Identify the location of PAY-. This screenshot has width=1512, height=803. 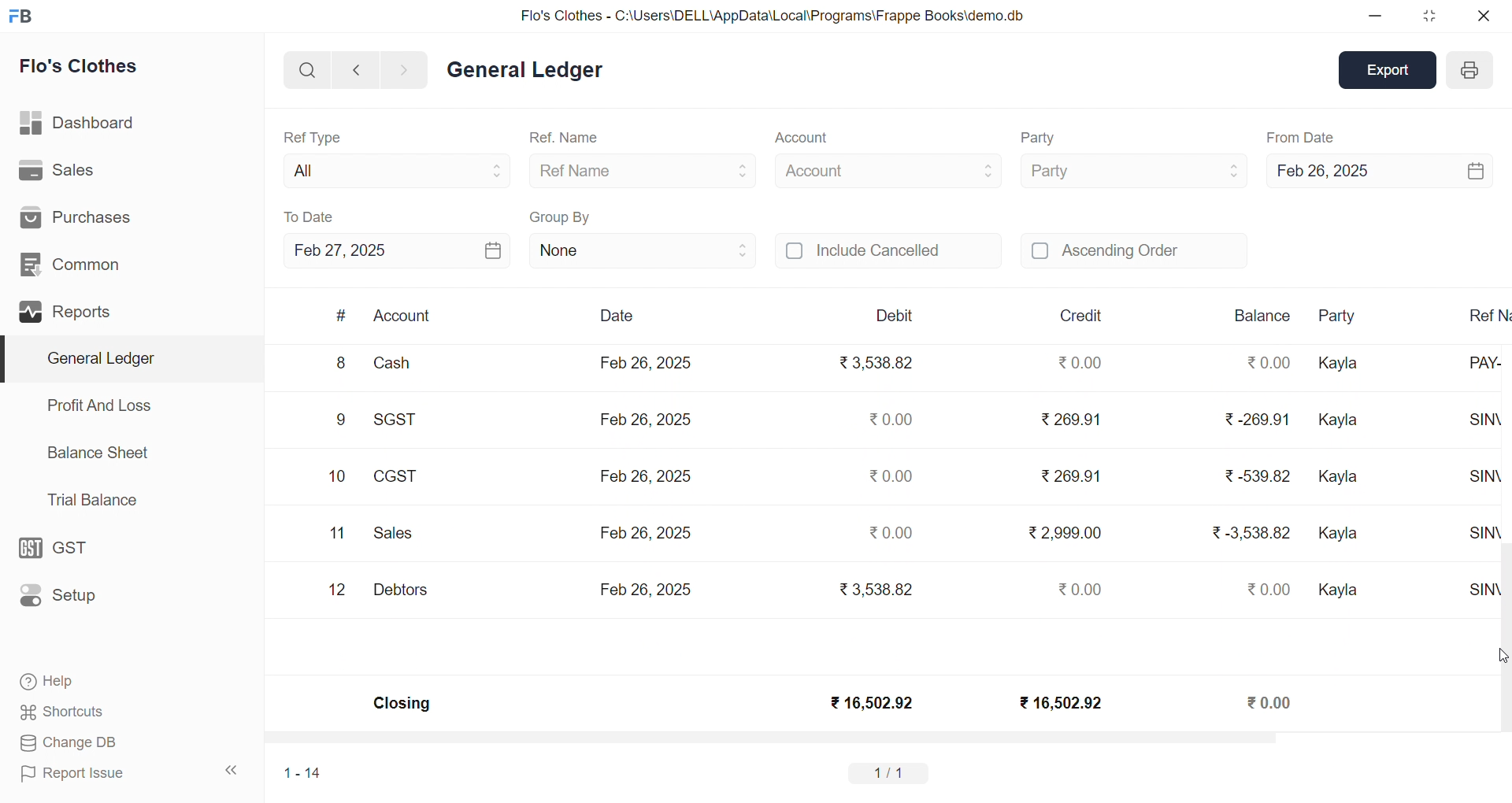
(1490, 370).